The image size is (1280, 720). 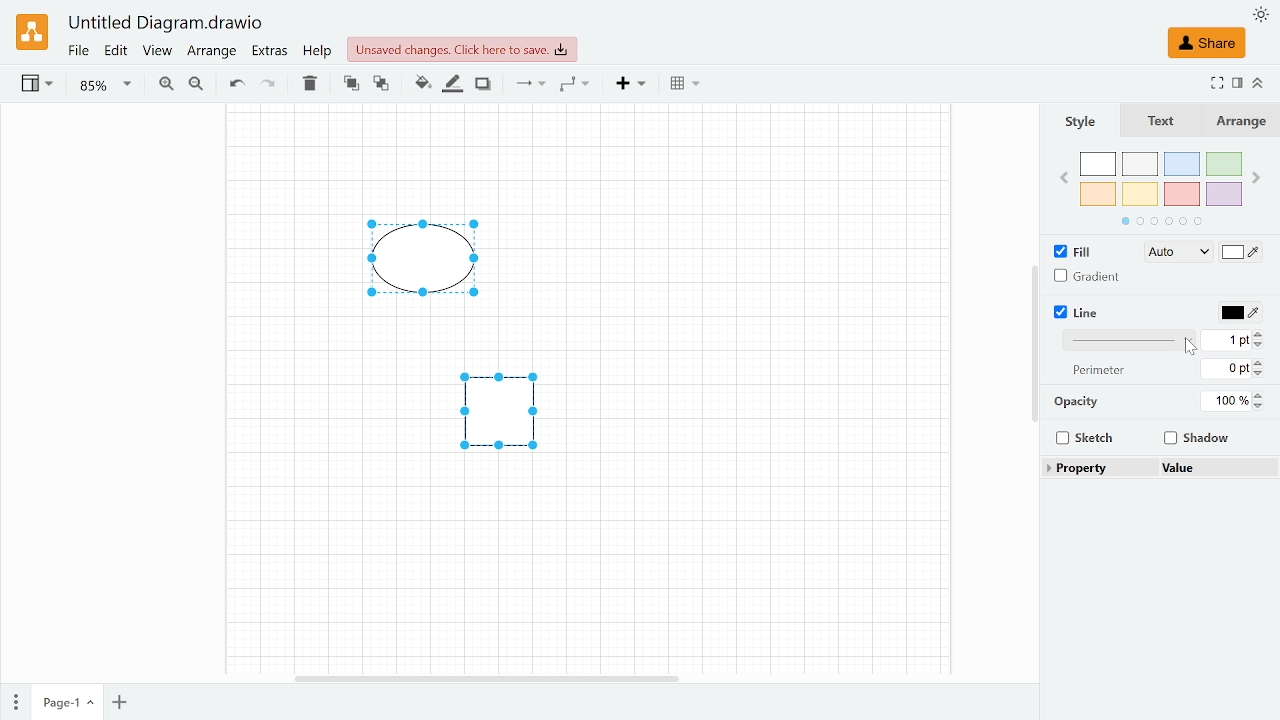 What do you see at coordinates (1079, 122) in the screenshot?
I see `Style` at bounding box center [1079, 122].